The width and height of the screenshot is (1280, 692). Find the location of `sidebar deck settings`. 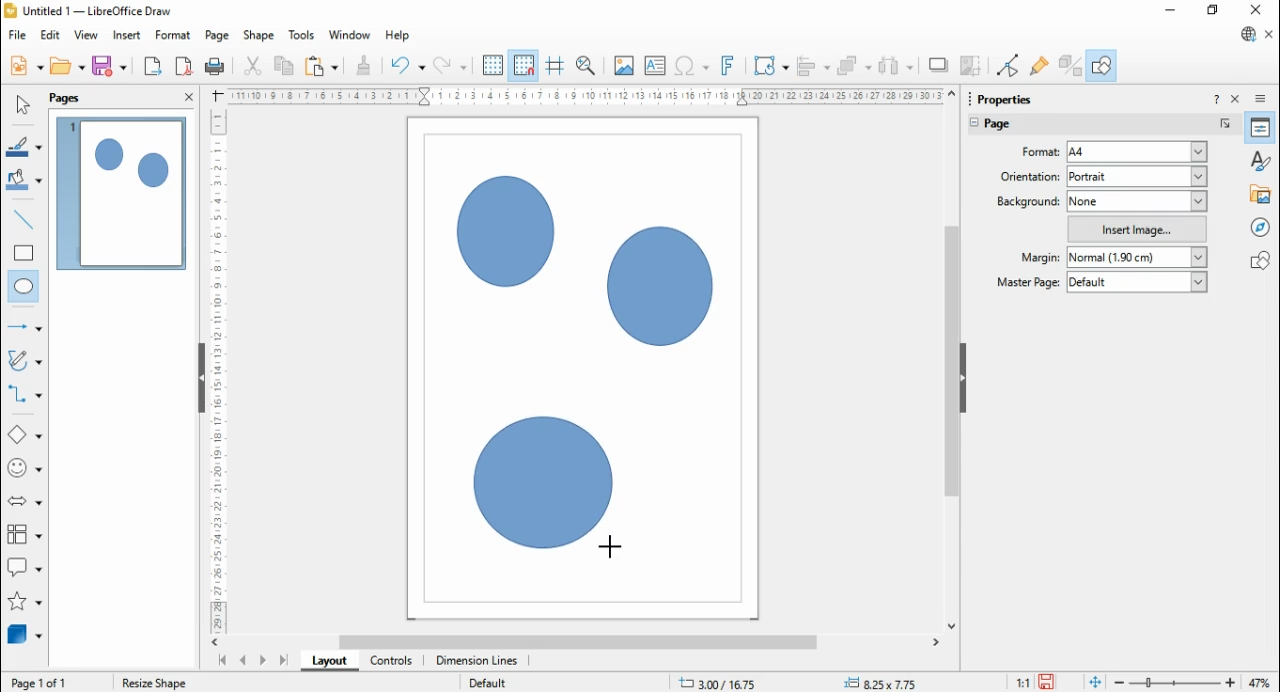

sidebar deck settings is located at coordinates (1262, 99).